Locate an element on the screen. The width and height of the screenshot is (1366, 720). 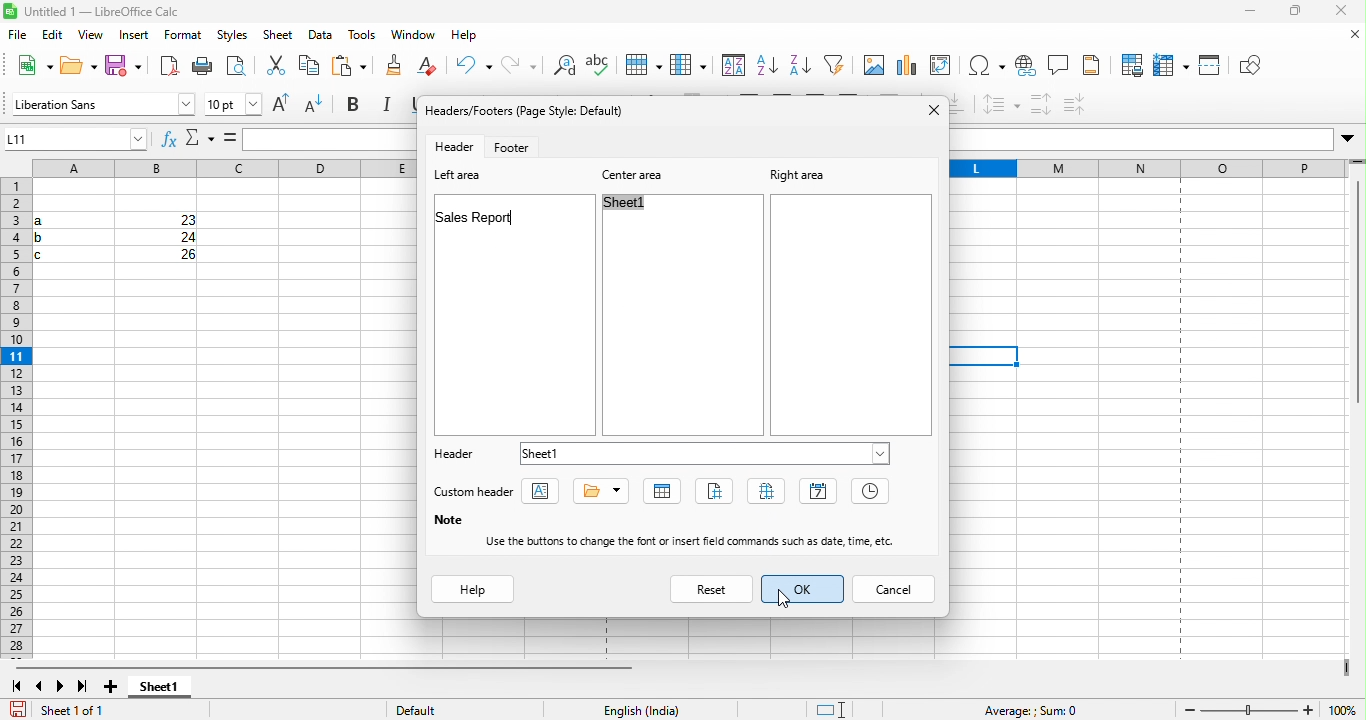
clone formatting is located at coordinates (351, 67).